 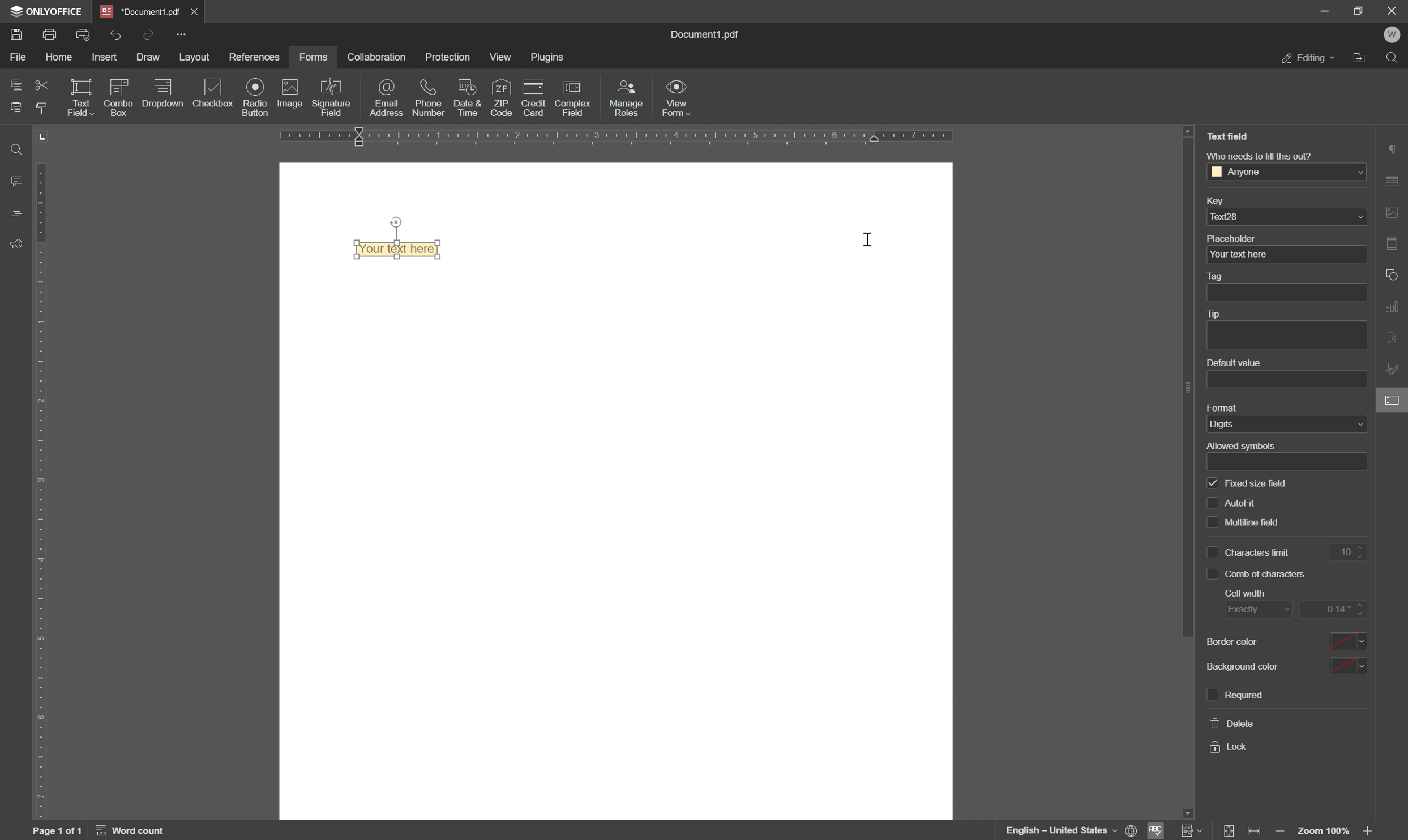 I want to click on close, so click(x=1392, y=11).